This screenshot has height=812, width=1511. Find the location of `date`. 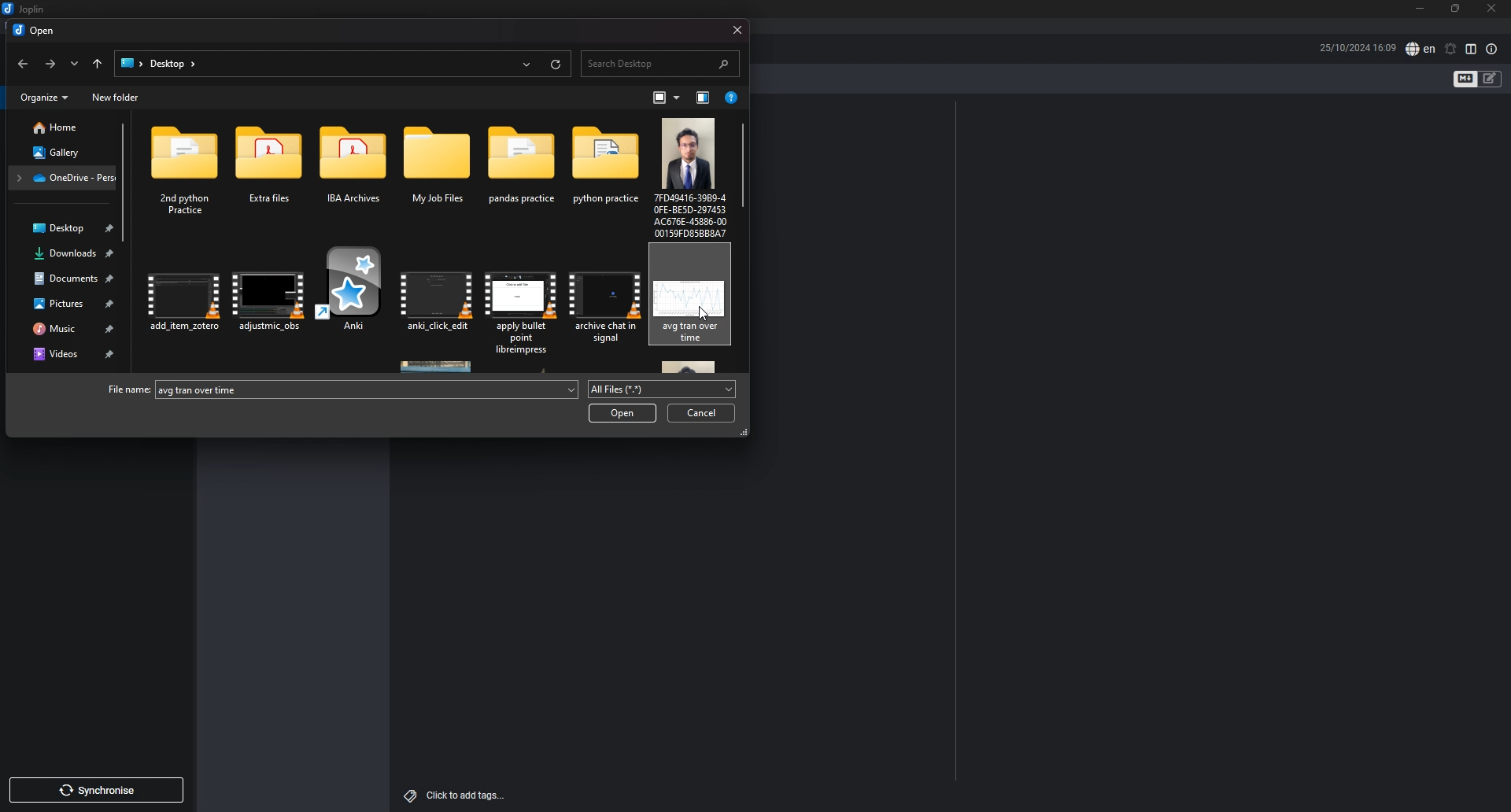

date is located at coordinates (1357, 47).